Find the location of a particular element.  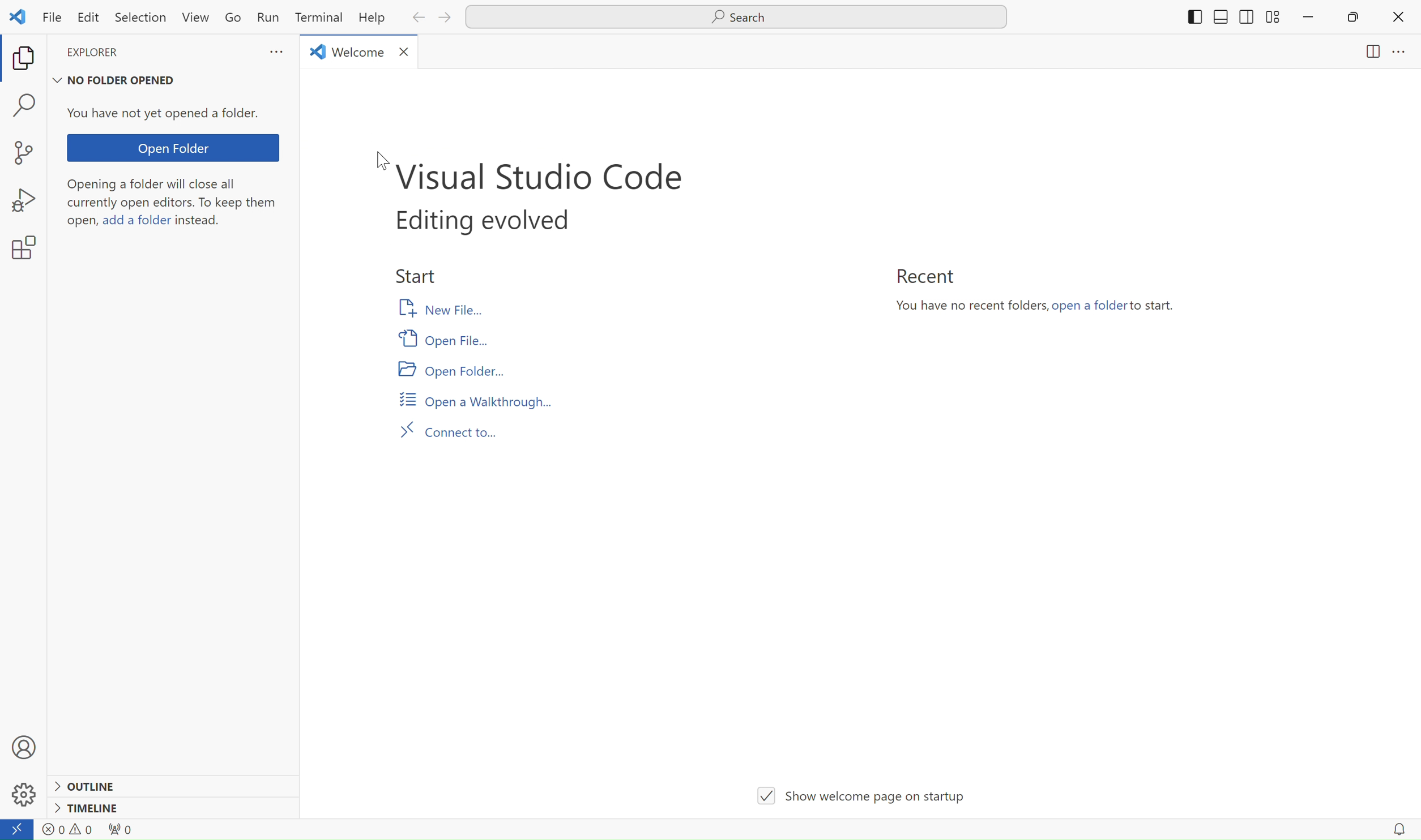

outline is located at coordinates (88, 784).